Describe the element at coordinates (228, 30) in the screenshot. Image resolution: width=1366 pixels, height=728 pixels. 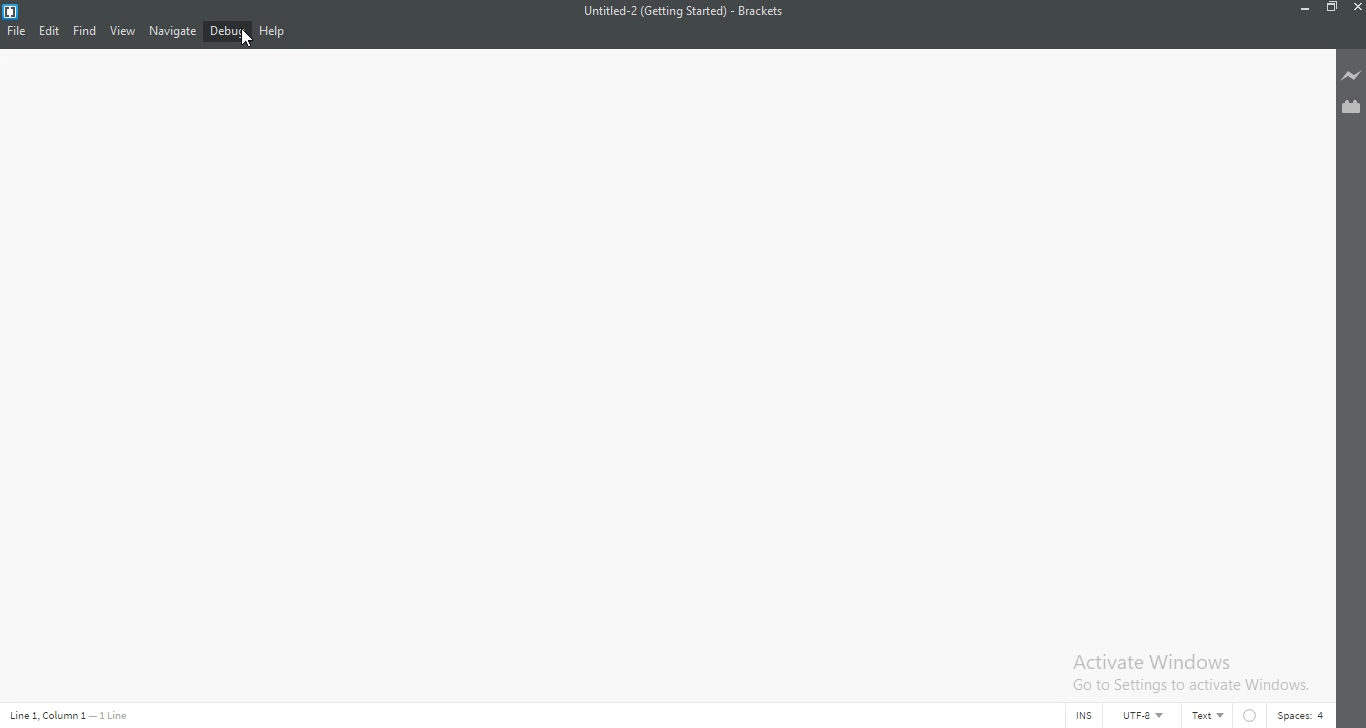
I see `debug` at that location.